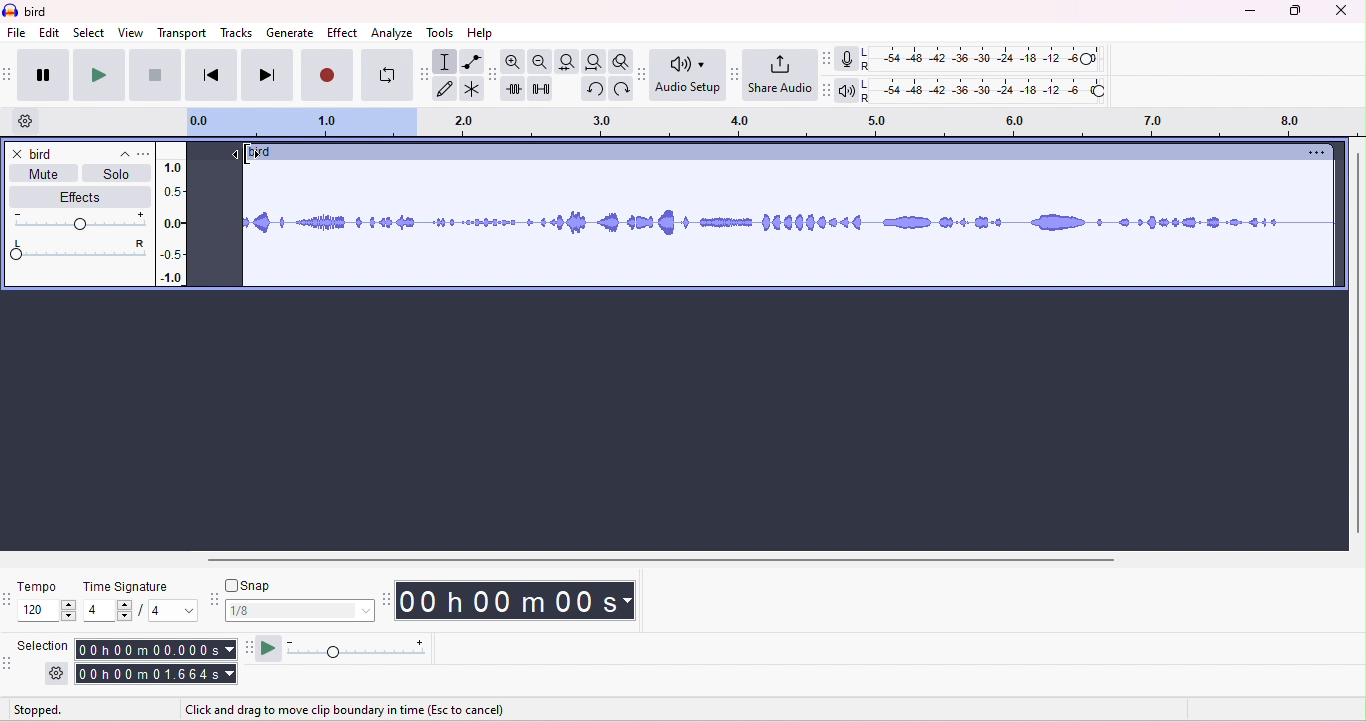 This screenshot has height=722, width=1366. Describe the element at coordinates (470, 89) in the screenshot. I see `multi` at that location.